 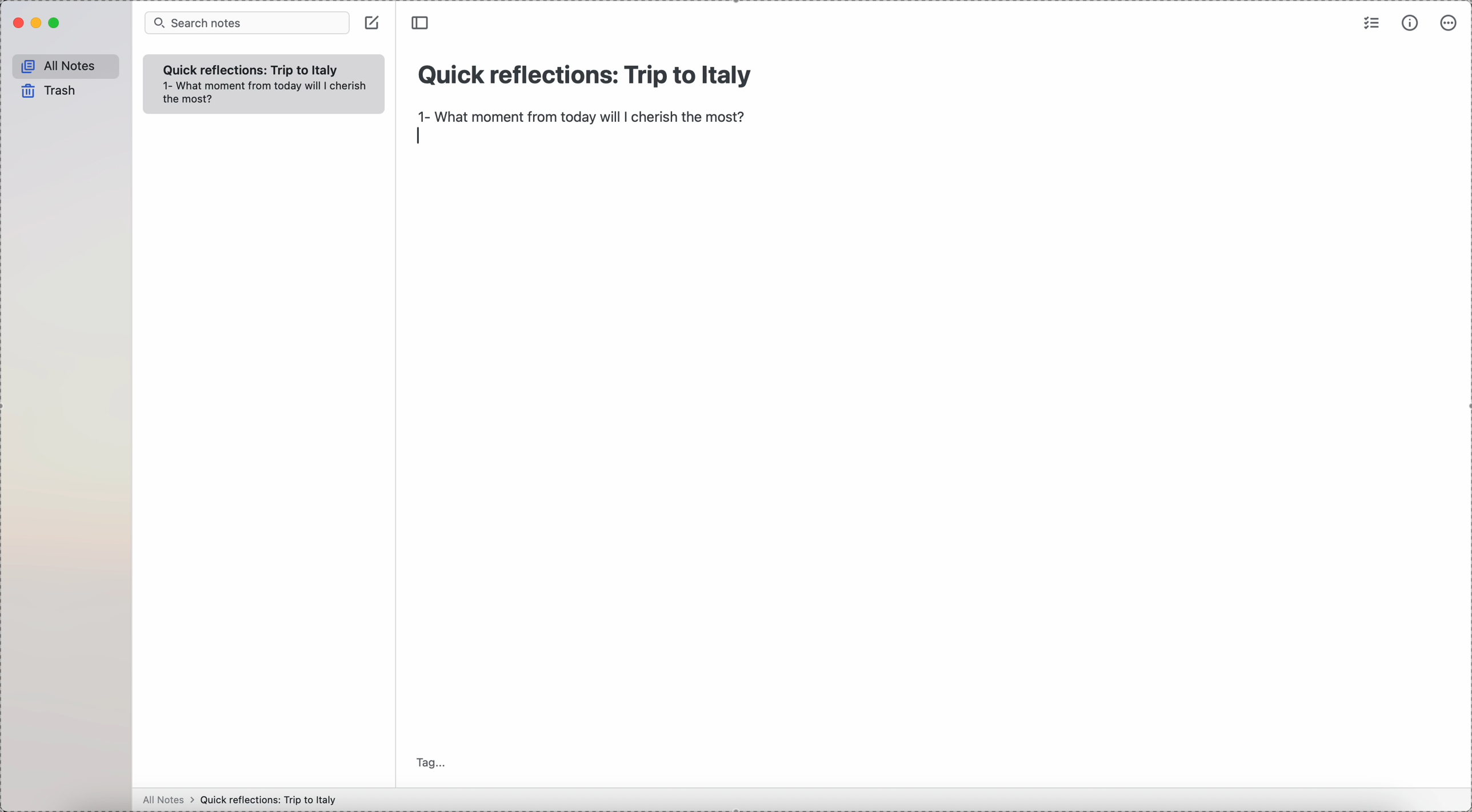 I want to click on click on create note, so click(x=374, y=23).